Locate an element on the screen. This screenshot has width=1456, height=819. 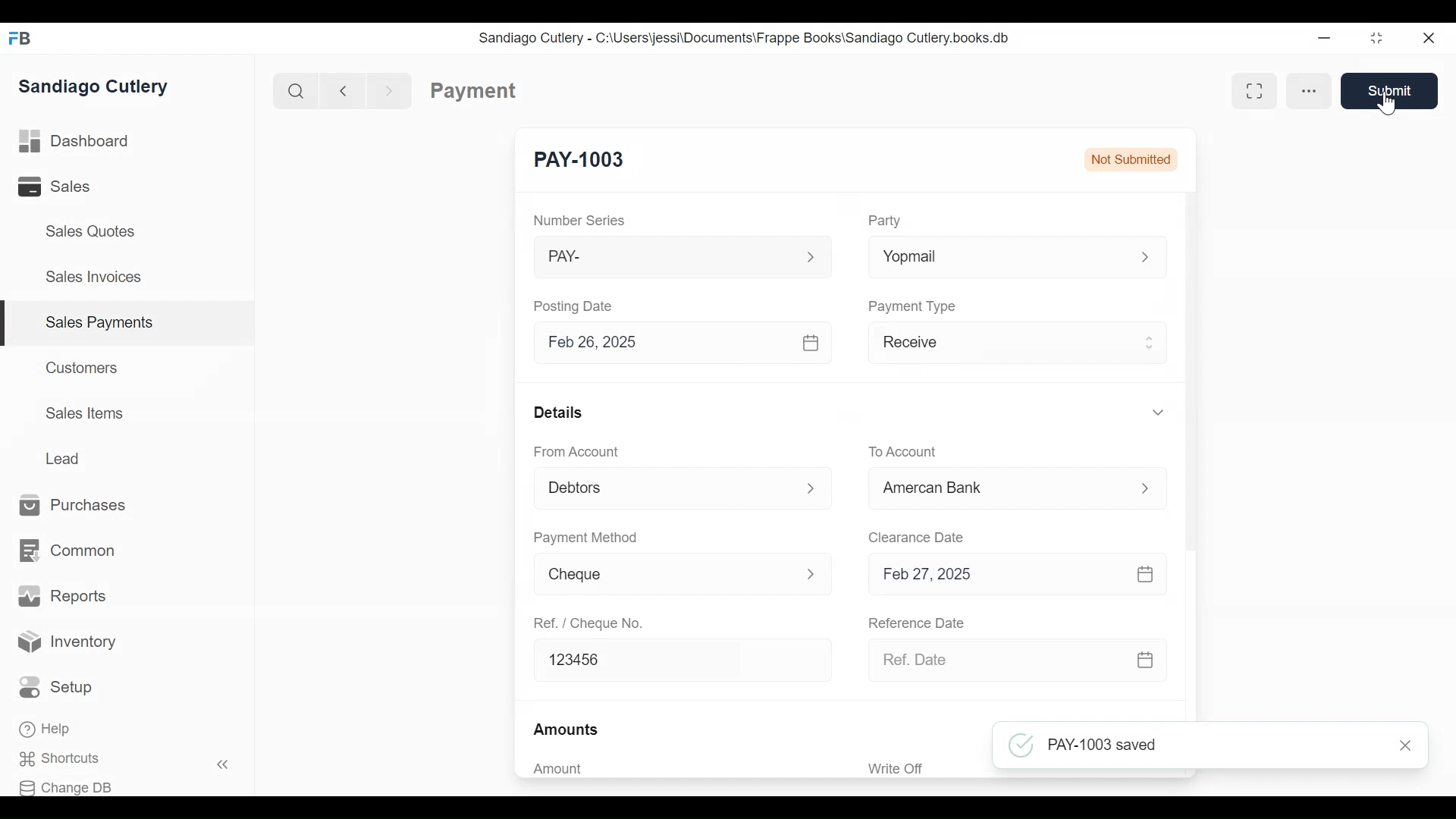
| Sales Payments is located at coordinates (129, 324).